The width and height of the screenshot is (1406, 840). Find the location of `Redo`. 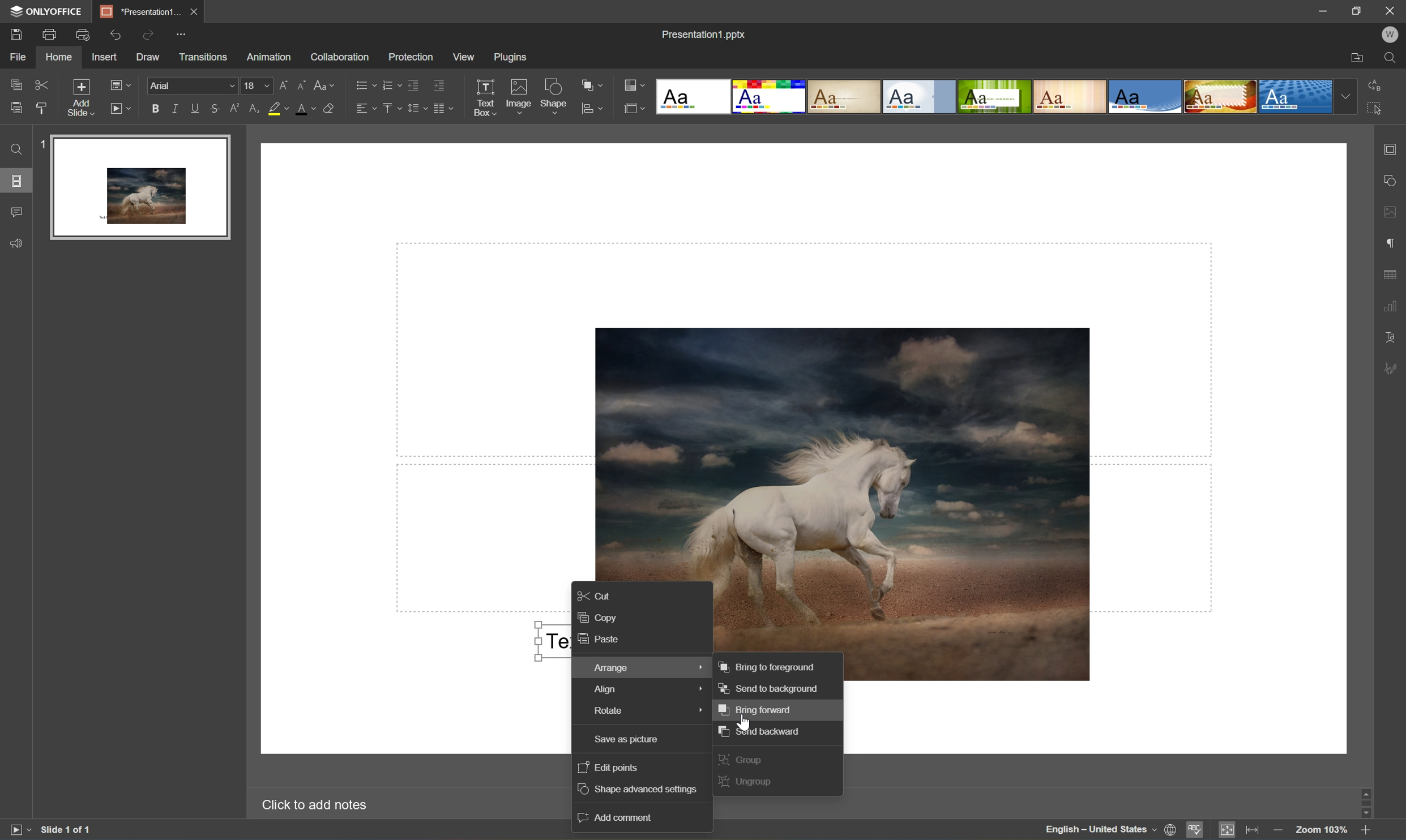

Redo is located at coordinates (151, 34).